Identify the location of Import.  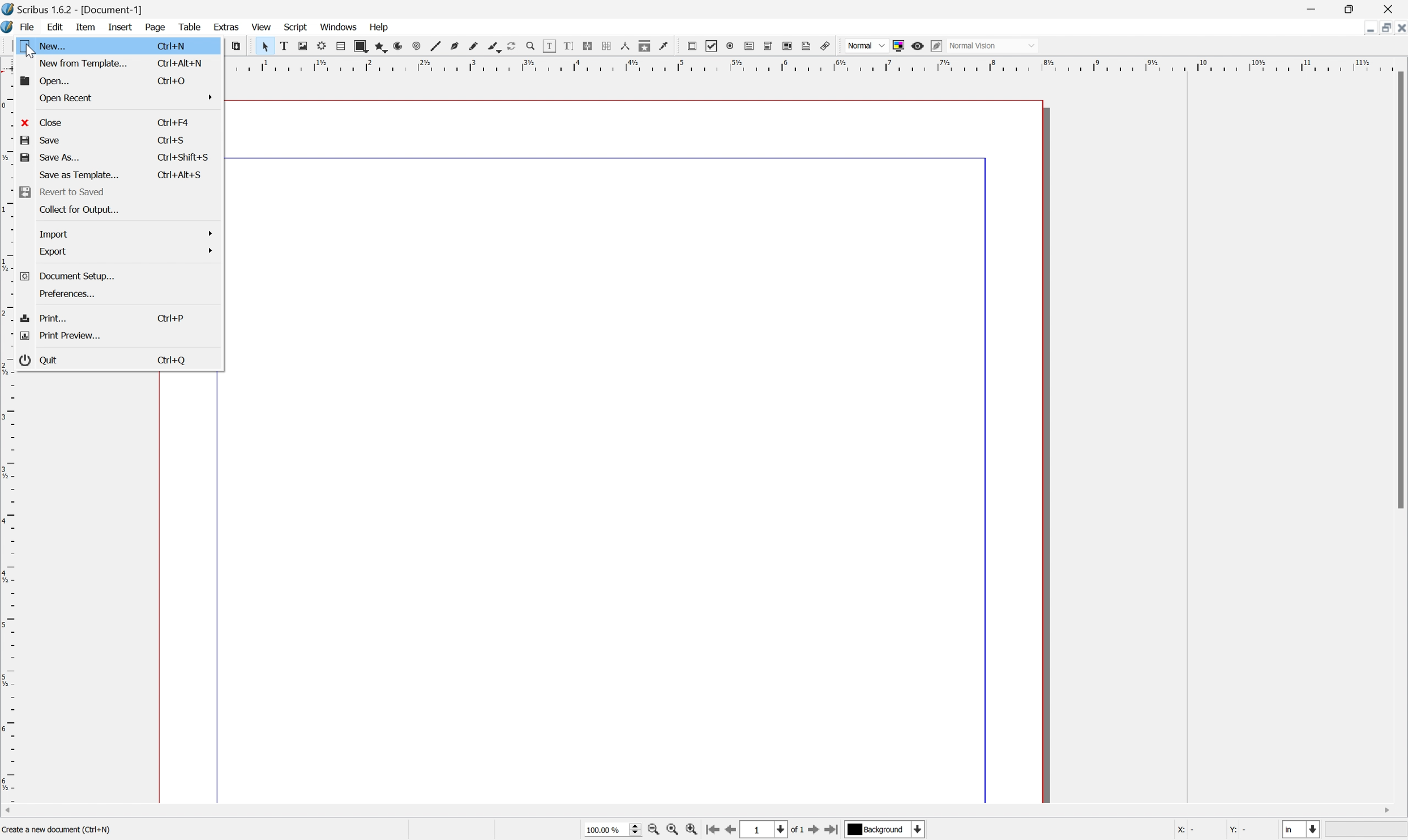
(124, 235).